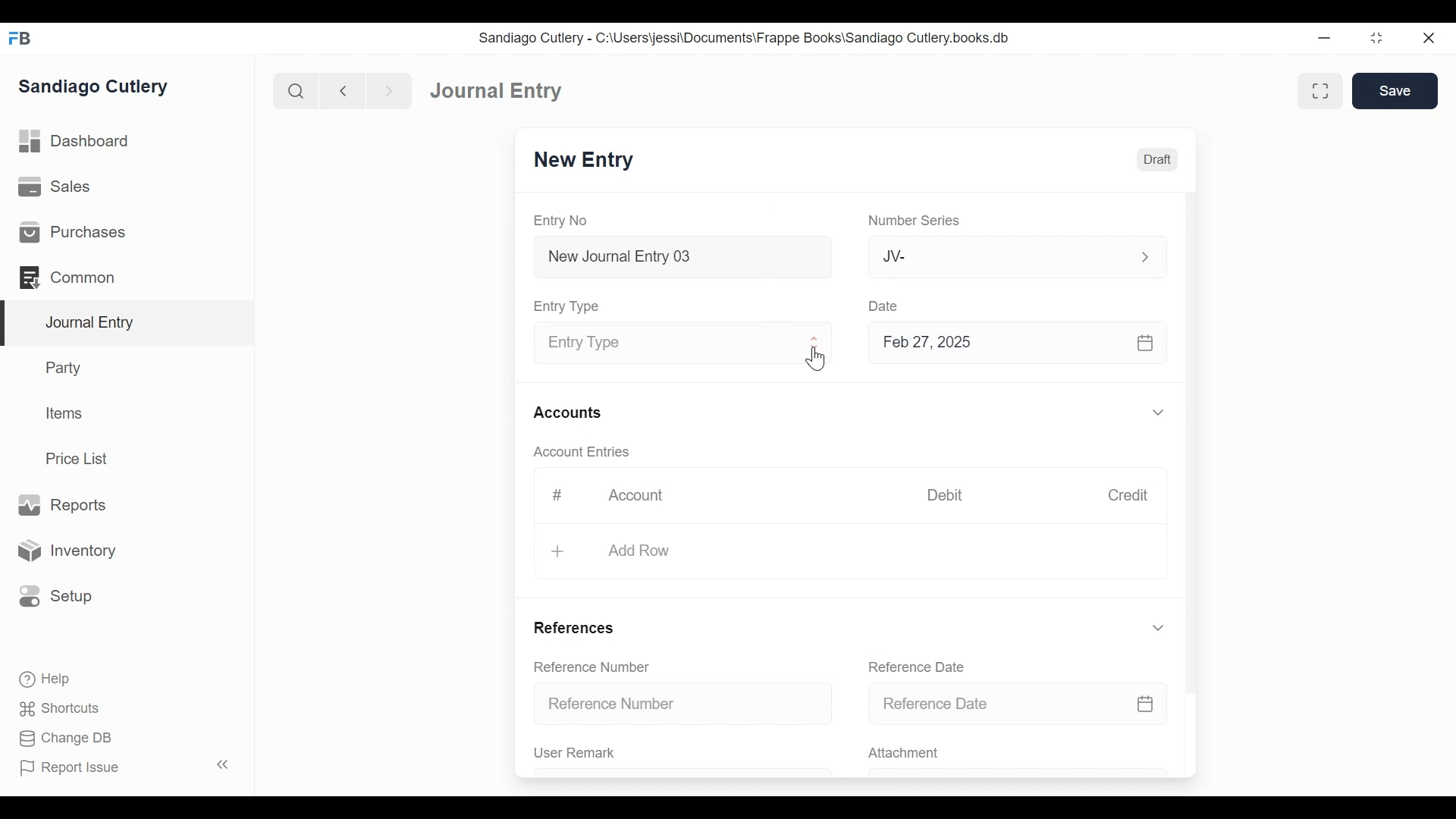 The height and width of the screenshot is (819, 1456). What do you see at coordinates (341, 91) in the screenshot?
I see `Navigate back` at bounding box center [341, 91].